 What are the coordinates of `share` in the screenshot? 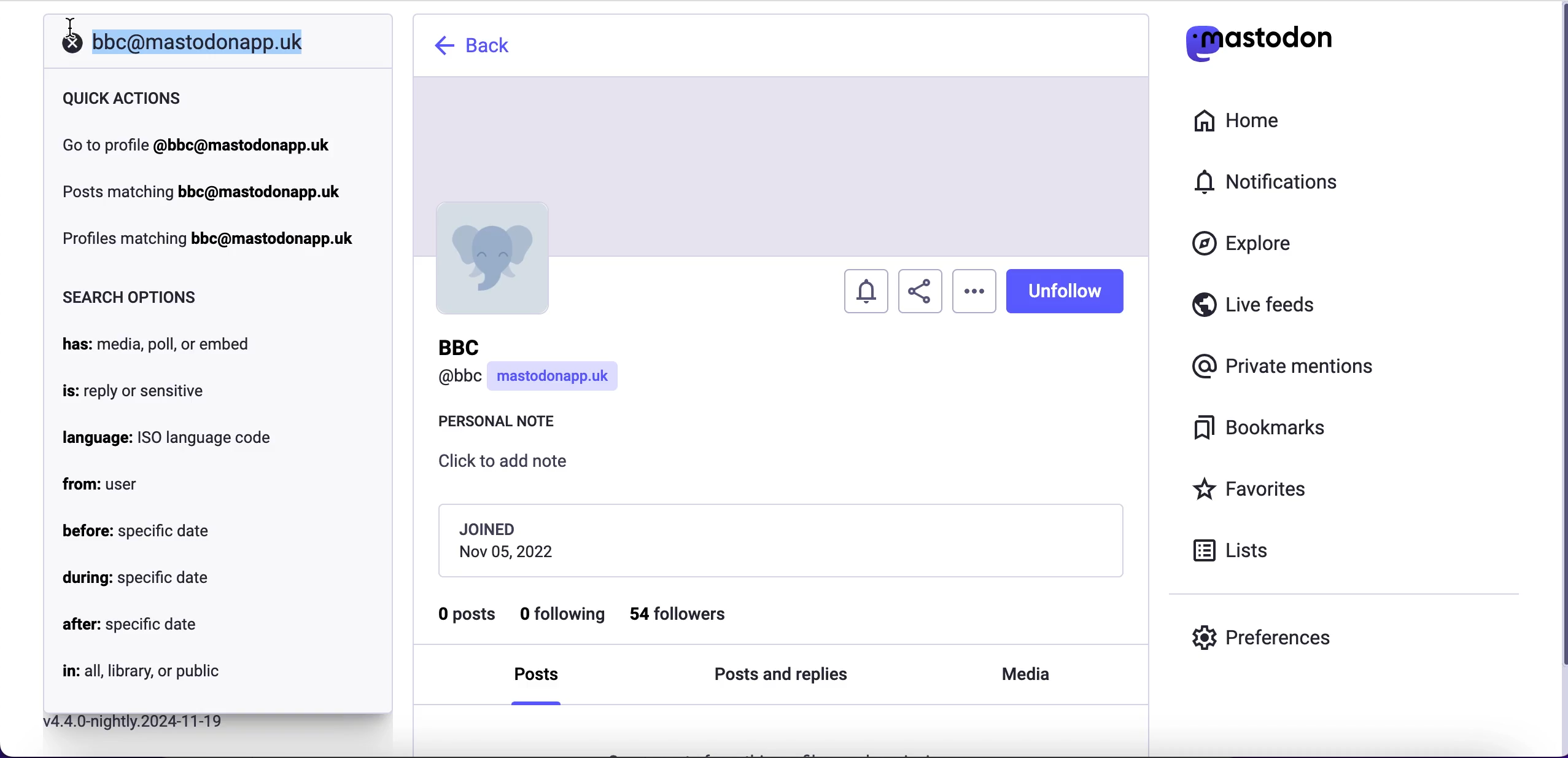 It's located at (920, 292).